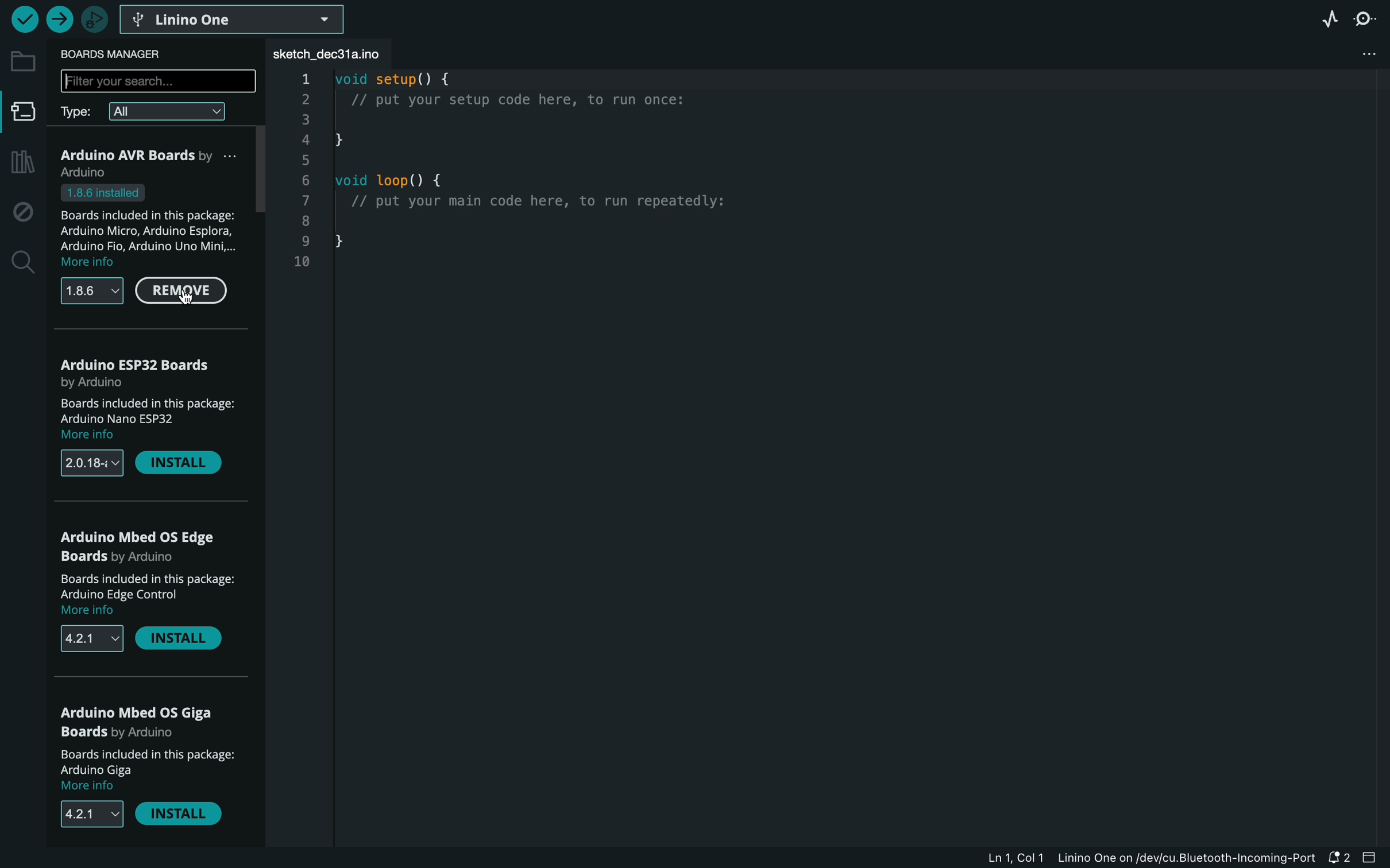  I want to click on remove, so click(184, 292).